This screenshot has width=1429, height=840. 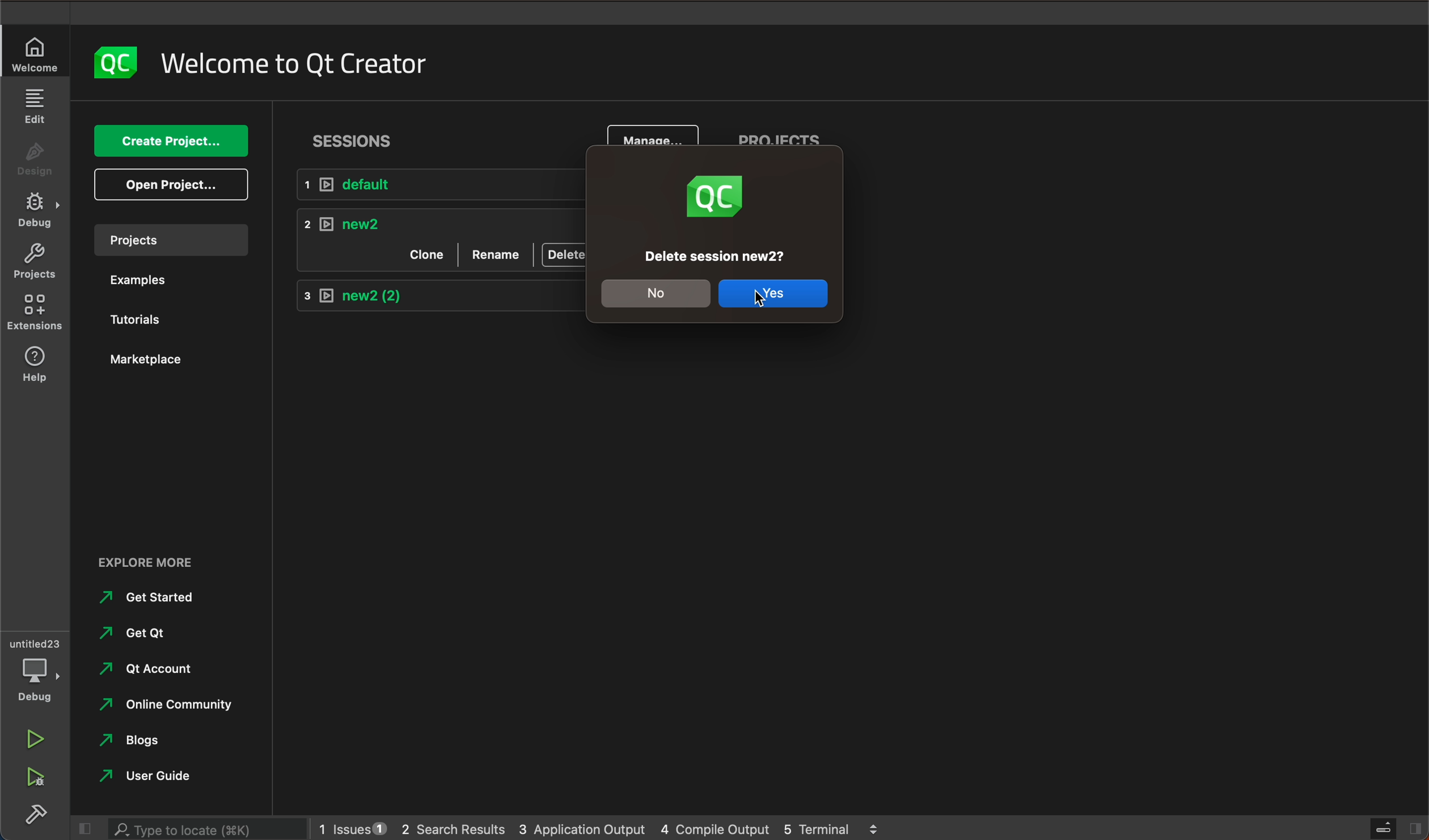 What do you see at coordinates (115, 63) in the screenshot?
I see `logo` at bounding box center [115, 63].